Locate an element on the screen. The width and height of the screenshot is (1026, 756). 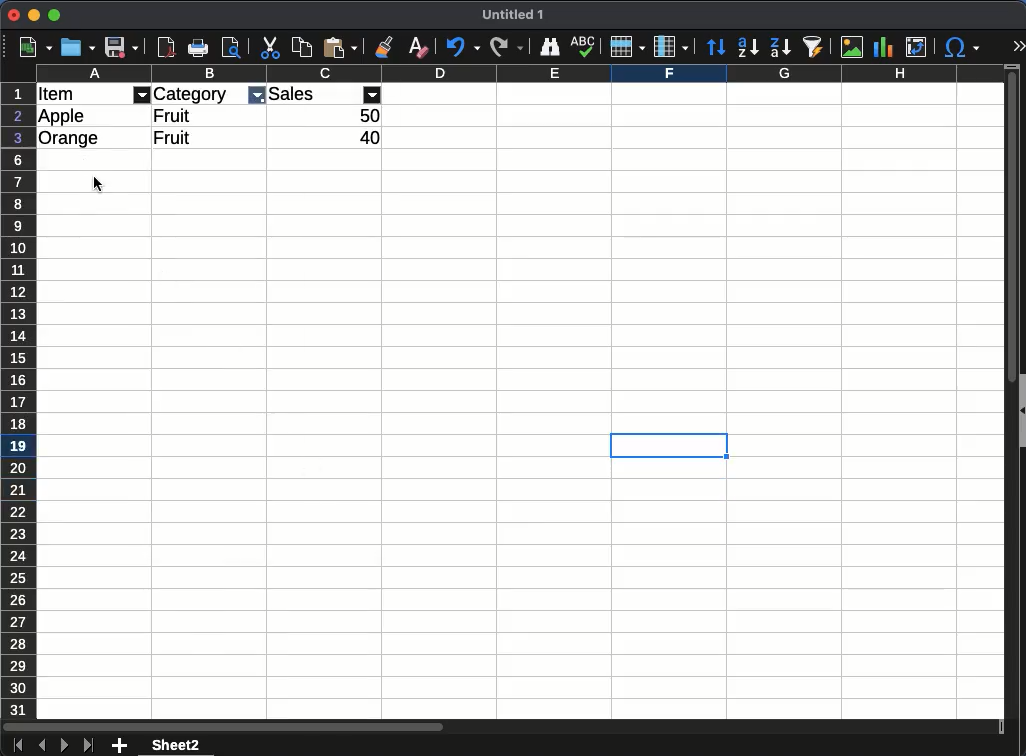
column is located at coordinates (519, 74).